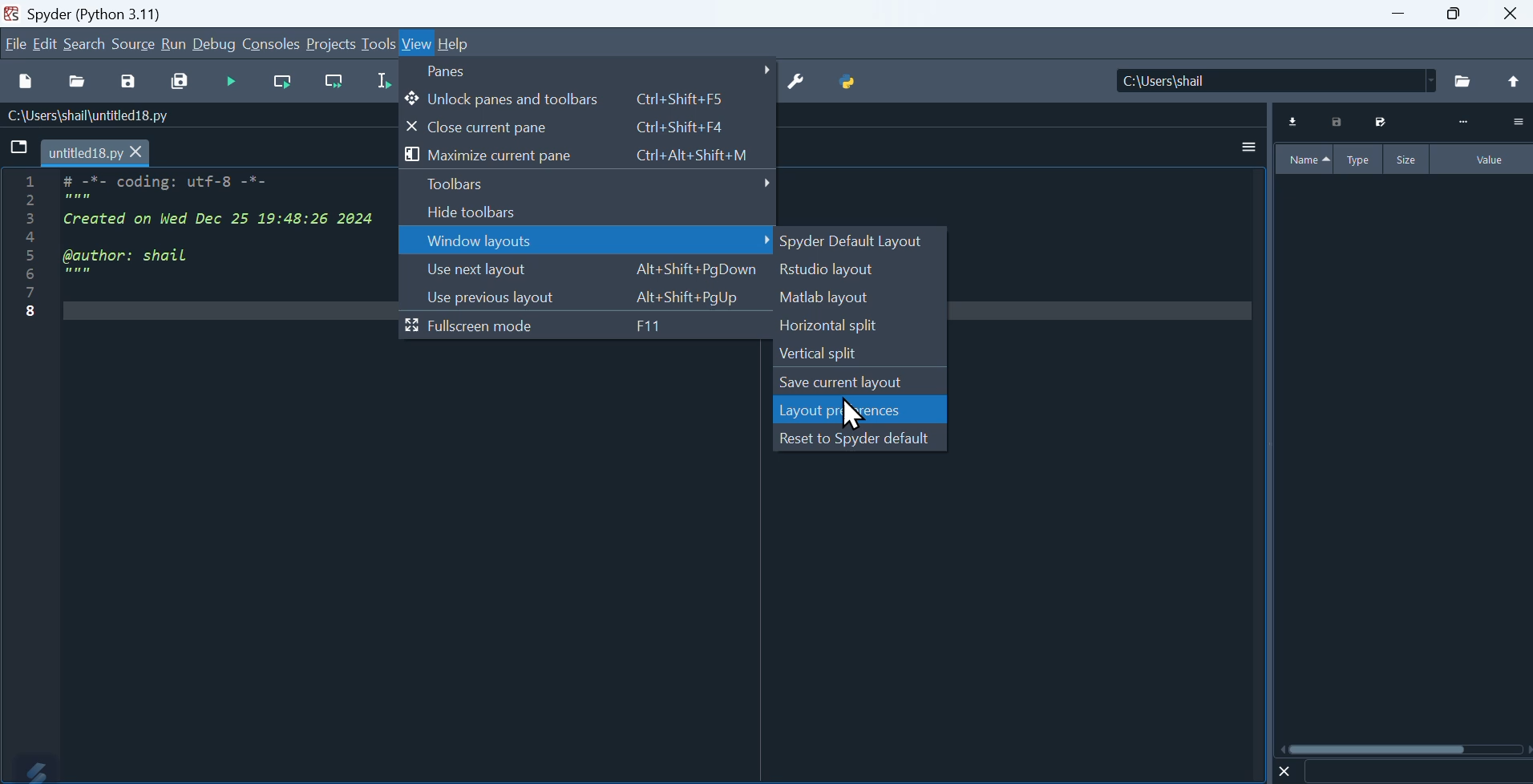 The width and height of the screenshot is (1533, 784). Describe the element at coordinates (861, 410) in the screenshot. I see `Layout preferences` at that location.